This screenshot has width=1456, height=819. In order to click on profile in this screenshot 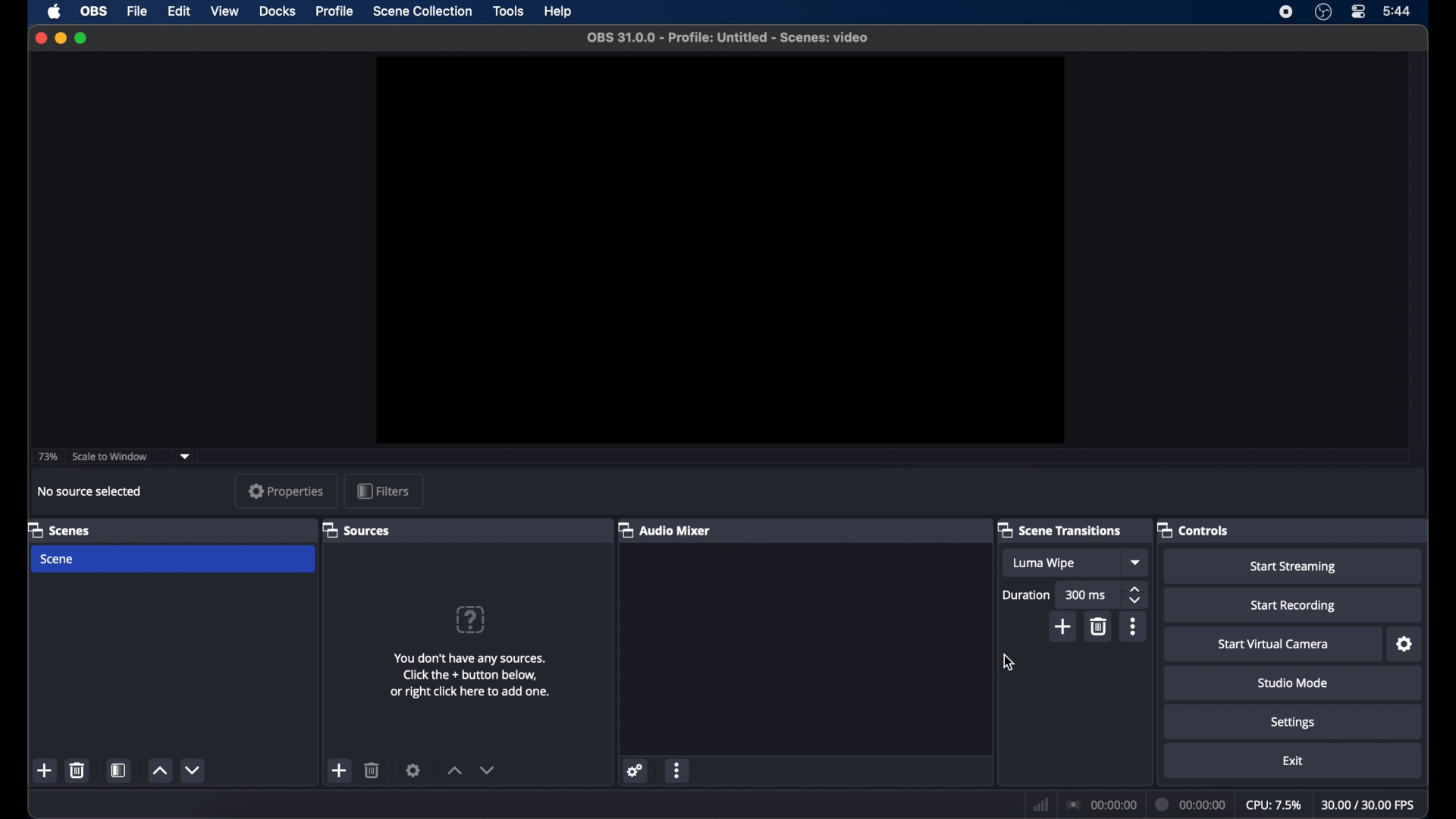, I will do `click(335, 11)`.